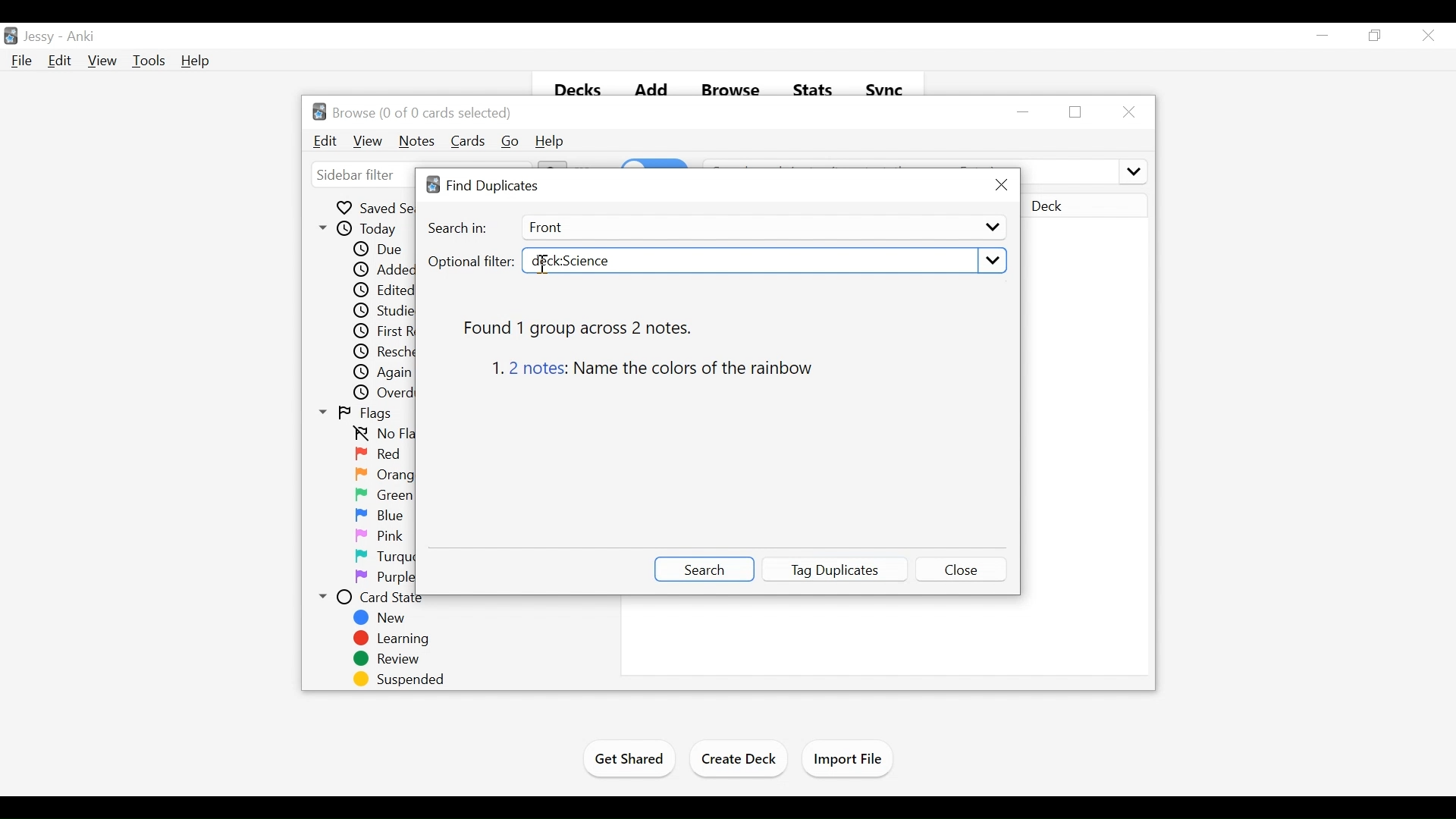 Image resolution: width=1456 pixels, height=819 pixels. Describe the element at coordinates (390, 639) in the screenshot. I see `Learning` at that location.